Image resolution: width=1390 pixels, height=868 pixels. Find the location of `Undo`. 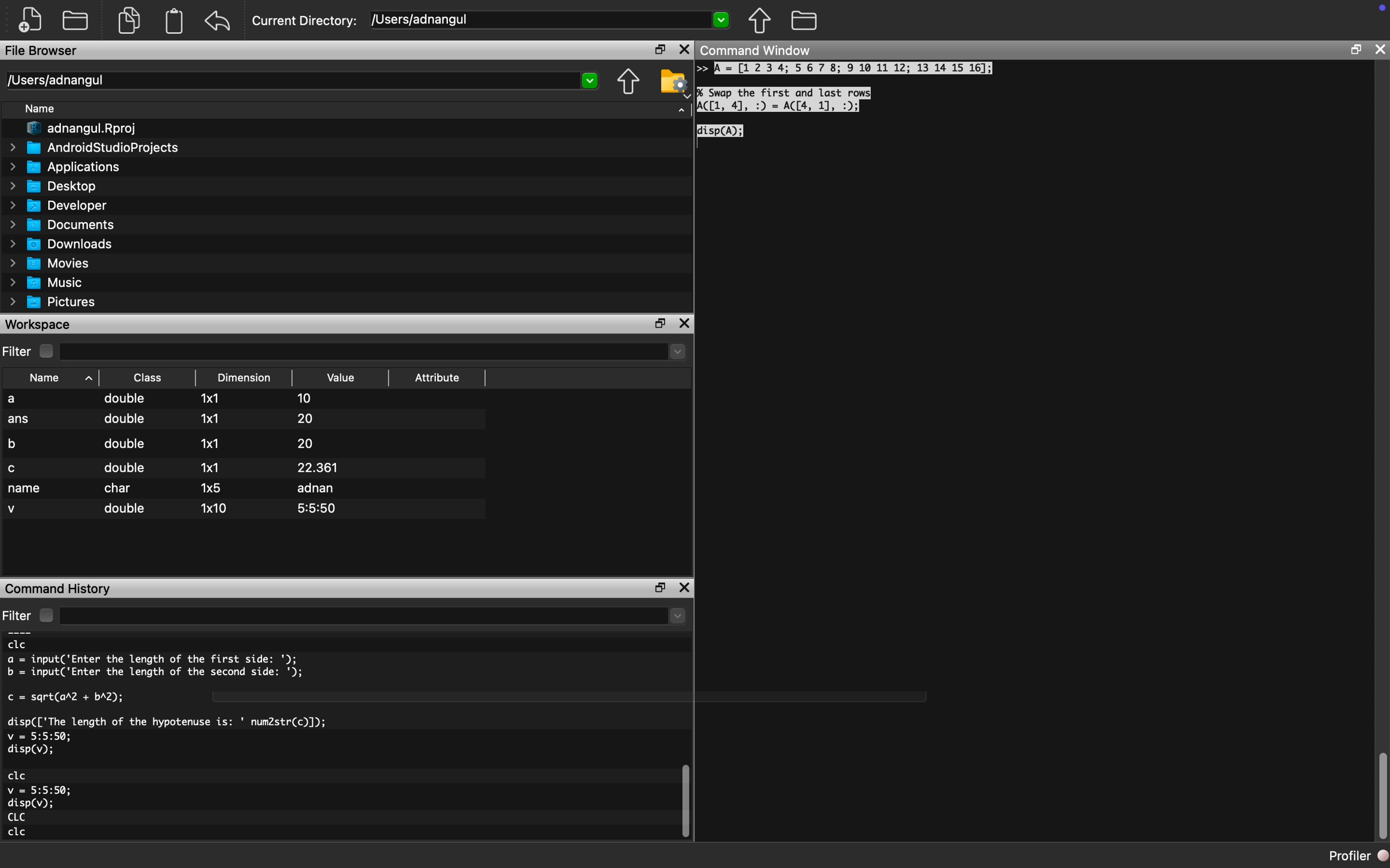

Undo is located at coordinates (222, 18).